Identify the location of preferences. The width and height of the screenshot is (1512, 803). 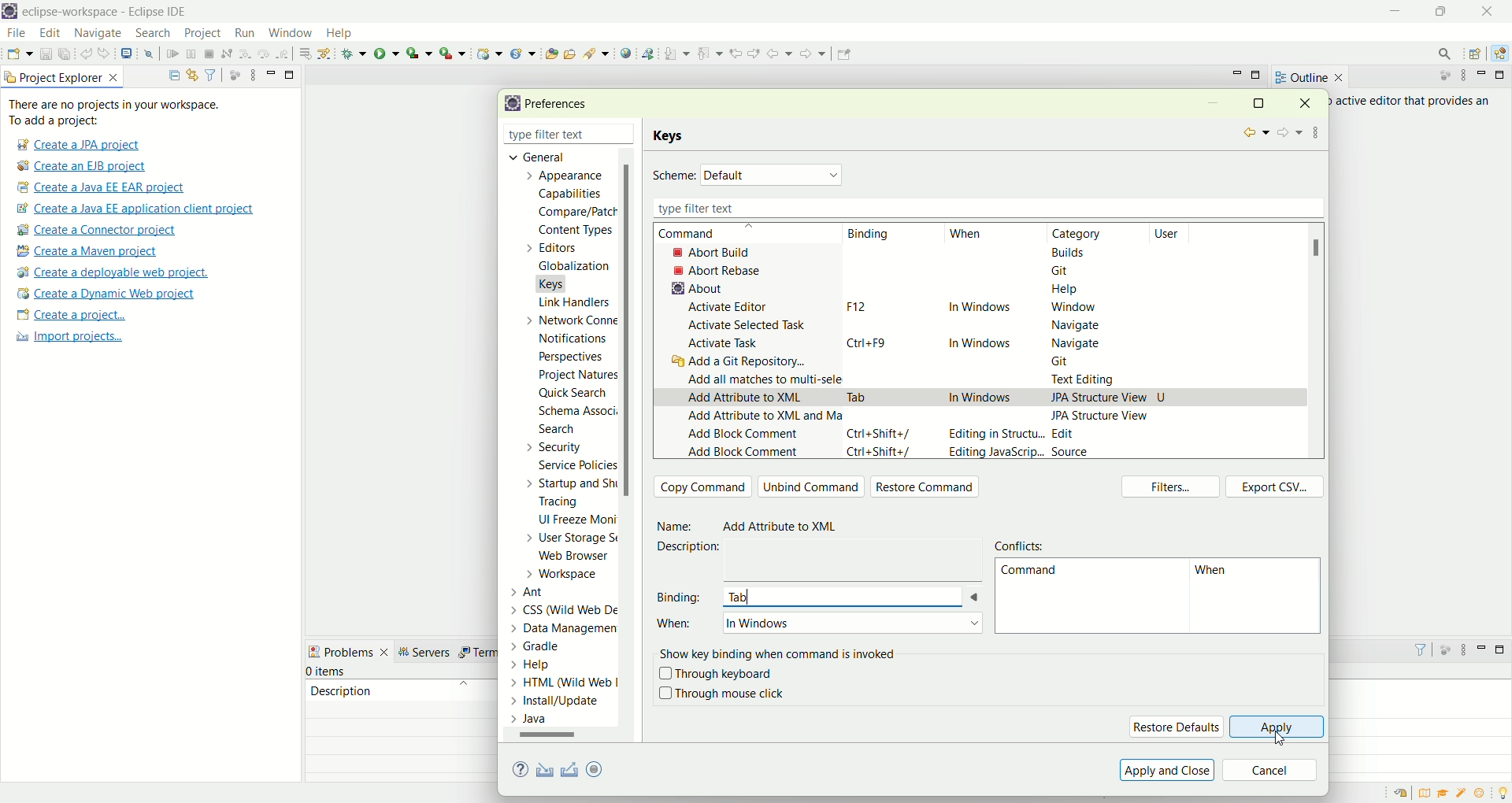
(561, 105).